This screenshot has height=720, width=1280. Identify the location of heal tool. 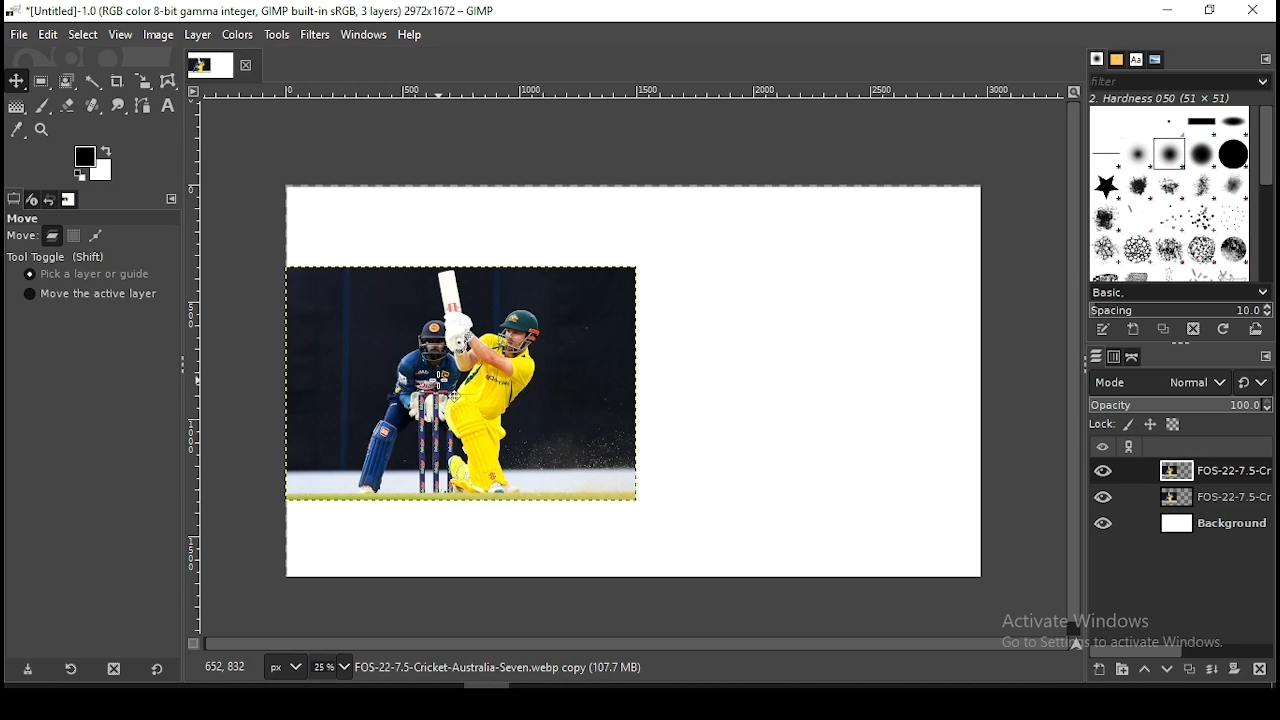
(91, 107).